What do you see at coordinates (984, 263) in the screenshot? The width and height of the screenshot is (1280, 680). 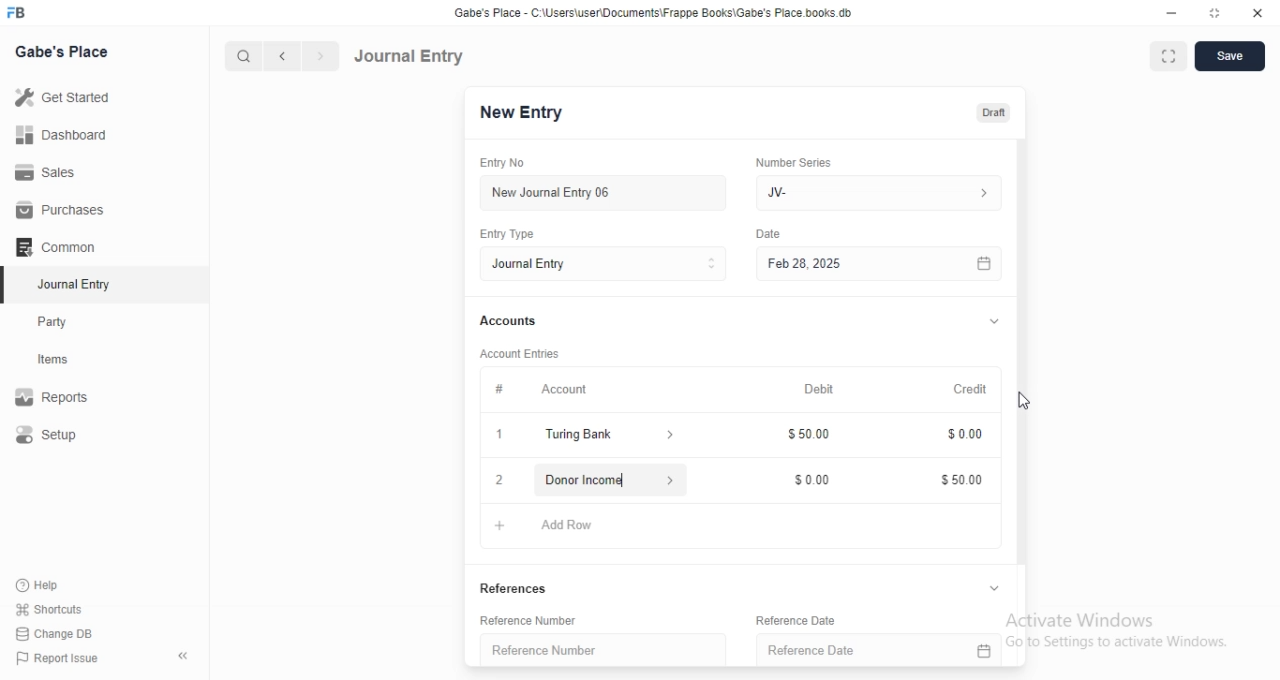 I see `calender` at bounding box center [984, 263].